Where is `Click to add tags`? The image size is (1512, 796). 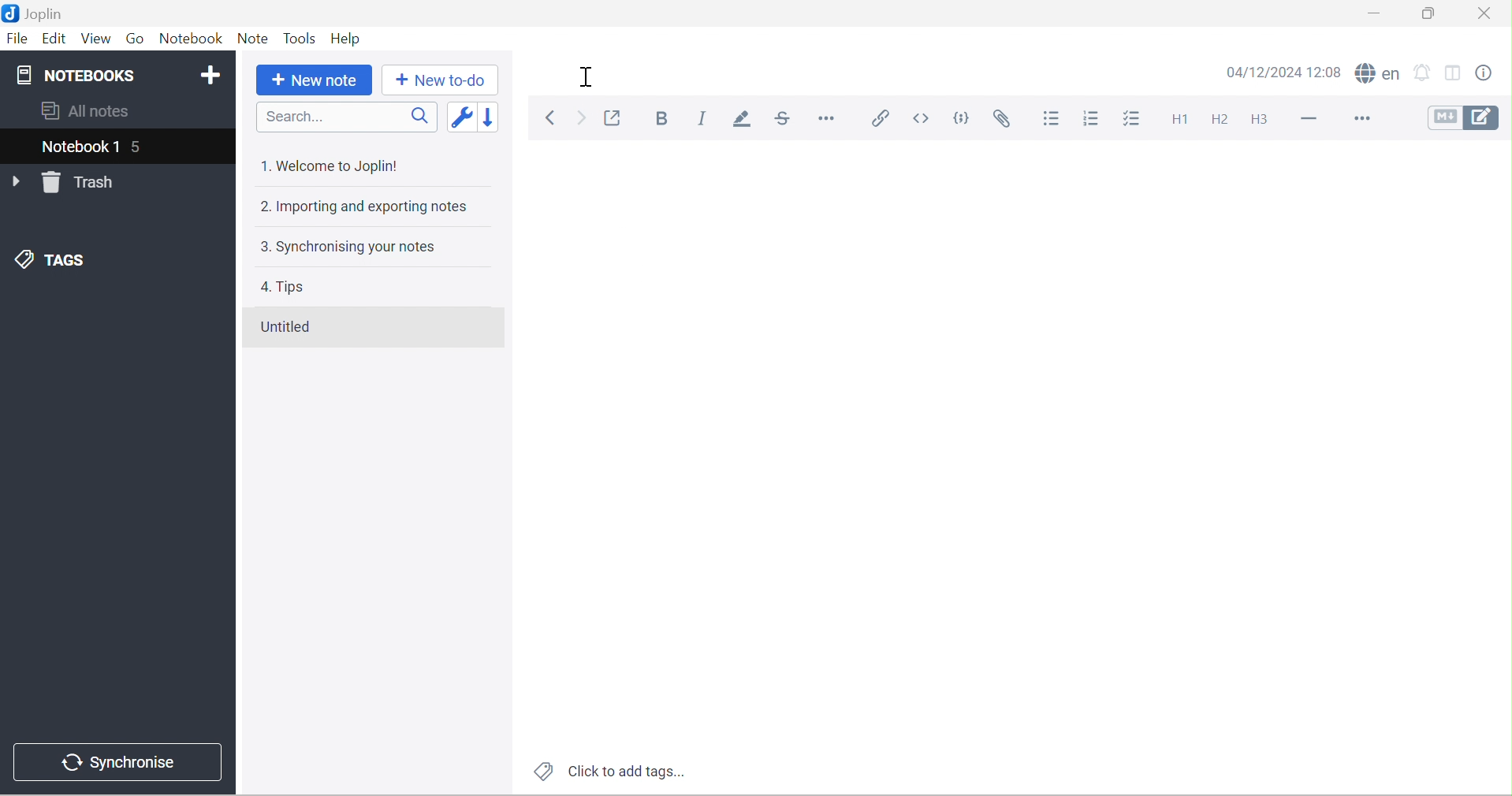
Click to add tags is located at coordinates (612, 770).